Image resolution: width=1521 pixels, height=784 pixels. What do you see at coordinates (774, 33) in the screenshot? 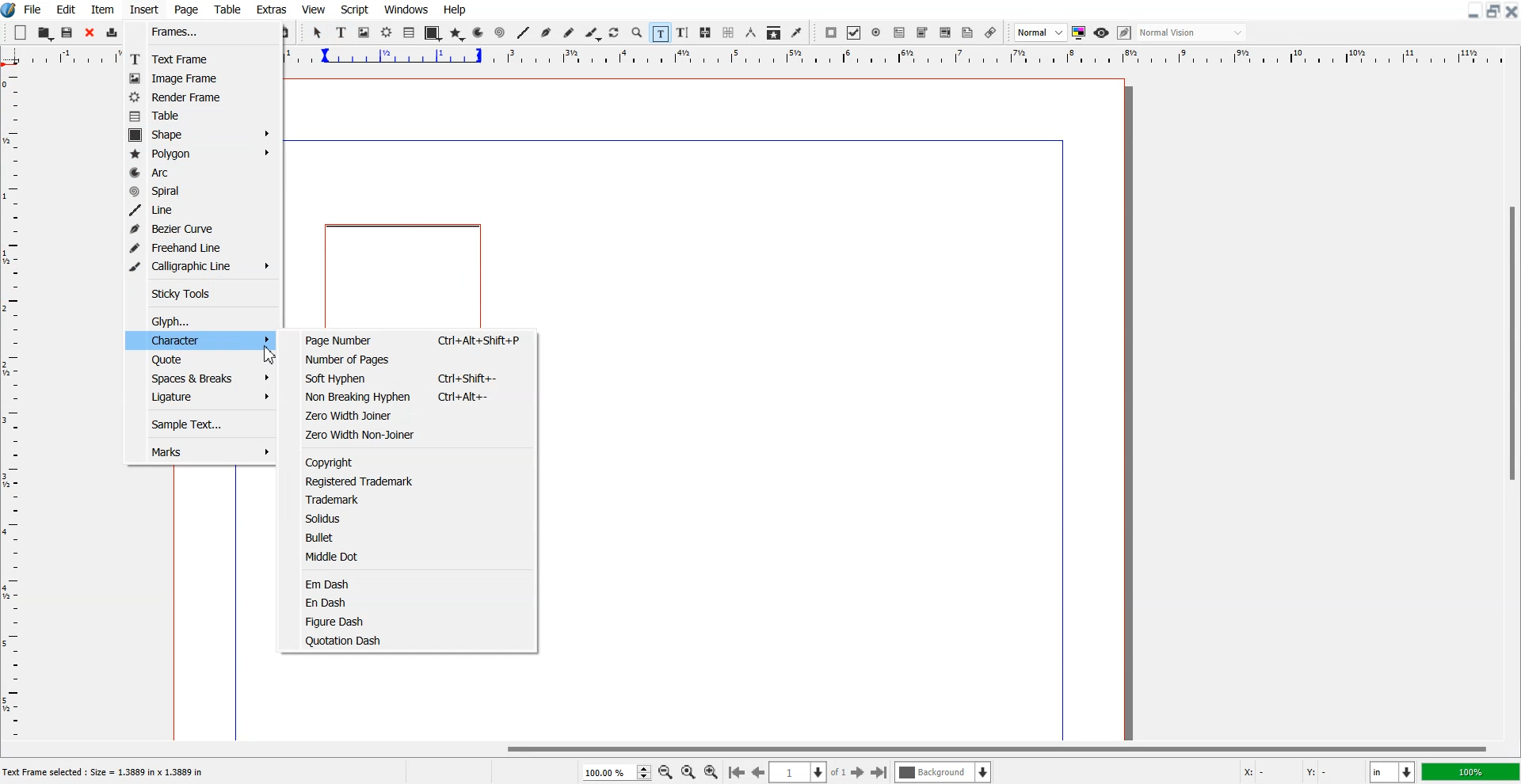
I see `Copy item properties` at bounding box center [774, 33].